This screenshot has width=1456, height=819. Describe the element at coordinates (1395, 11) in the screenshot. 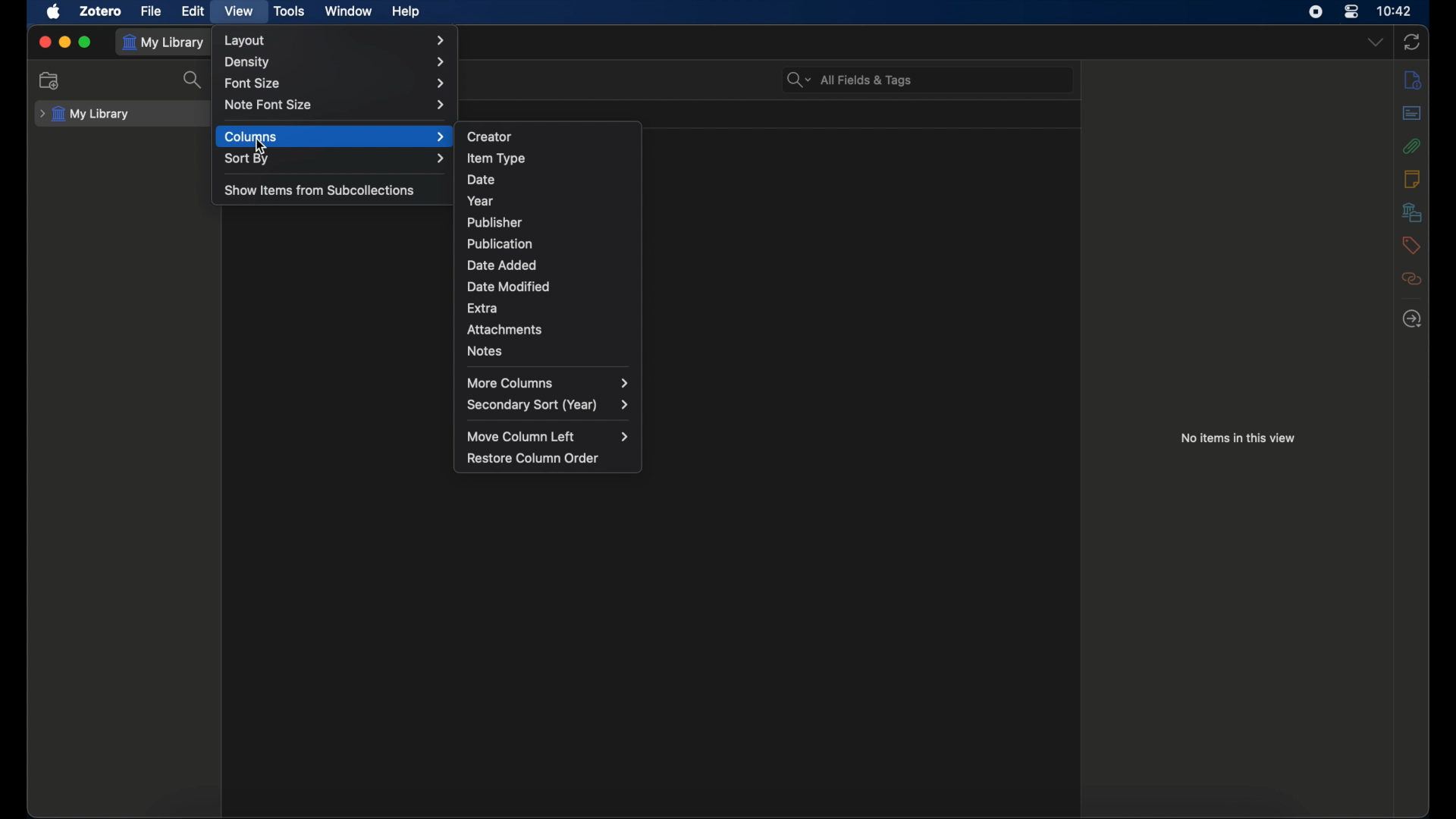

I see `time` at that location.